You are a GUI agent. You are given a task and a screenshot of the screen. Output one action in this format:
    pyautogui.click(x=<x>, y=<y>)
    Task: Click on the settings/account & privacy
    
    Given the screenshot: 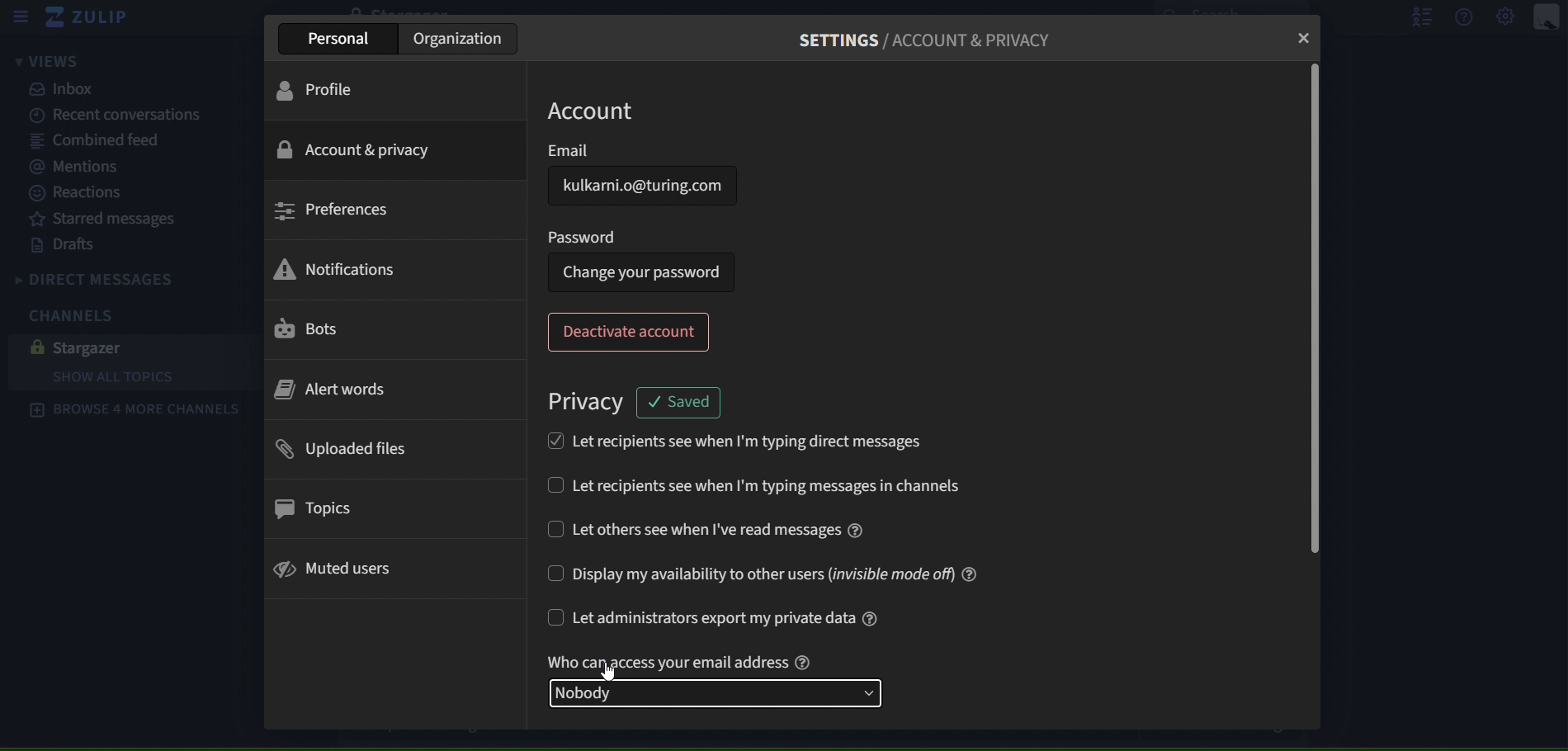 What is the action you would take?
    pyautogui.click(x=933, y=42)
    